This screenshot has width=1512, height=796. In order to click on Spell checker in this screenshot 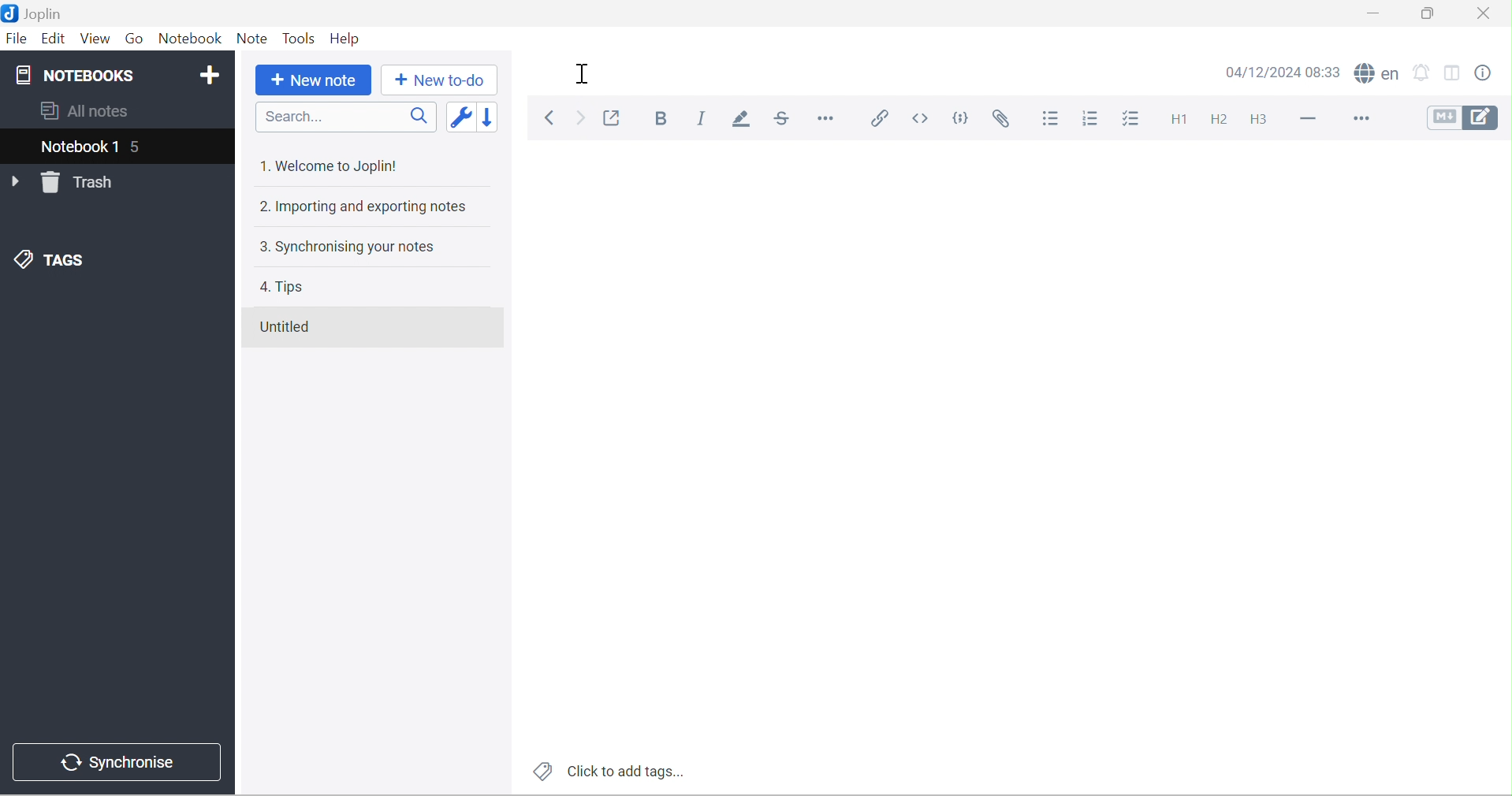, I will do `click(1375, 73)`.